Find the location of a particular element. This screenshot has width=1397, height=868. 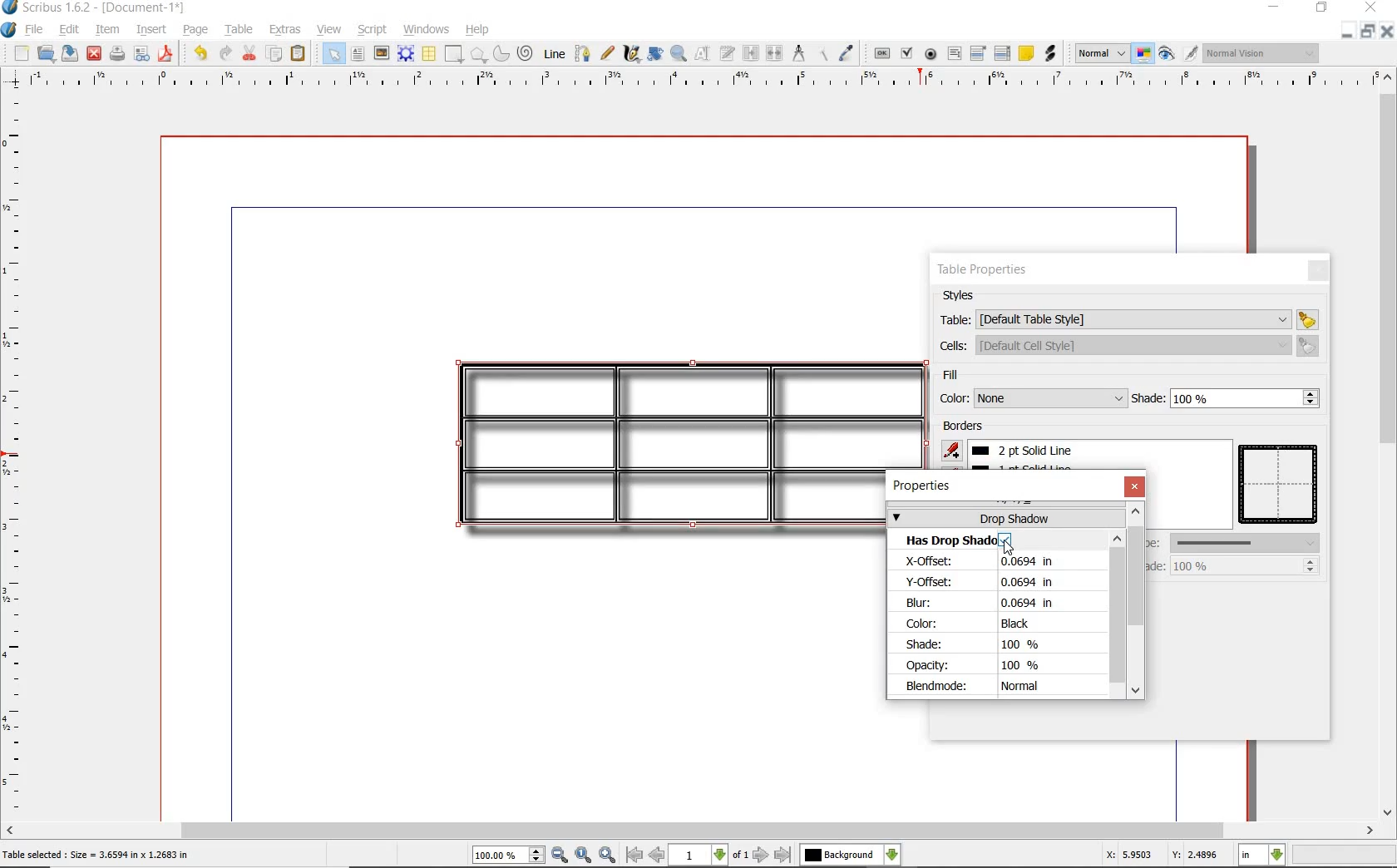

RESTORE is located at coordinates (1369, 30).